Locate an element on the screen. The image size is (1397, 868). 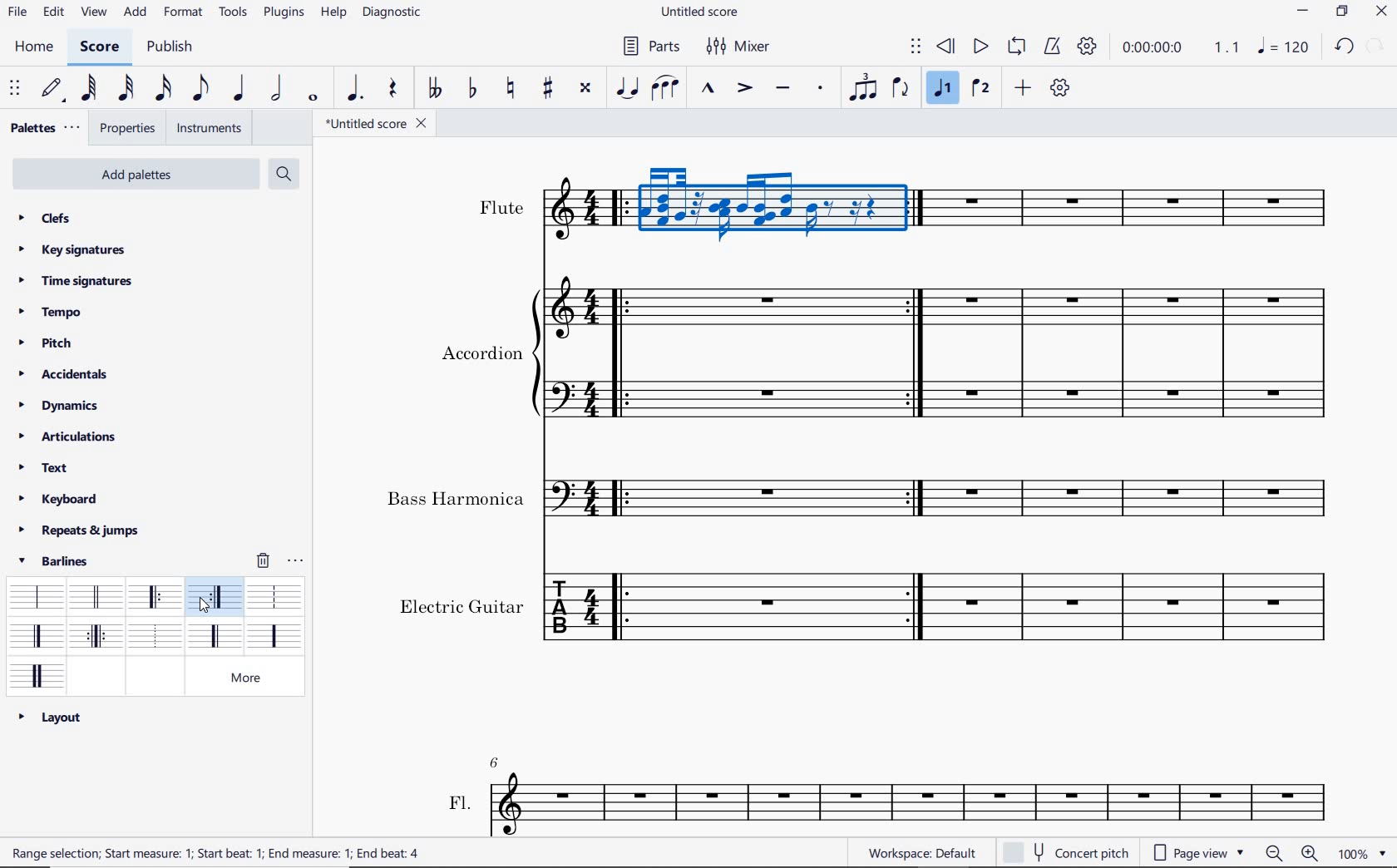
tools is located at coordinates (233, 13).